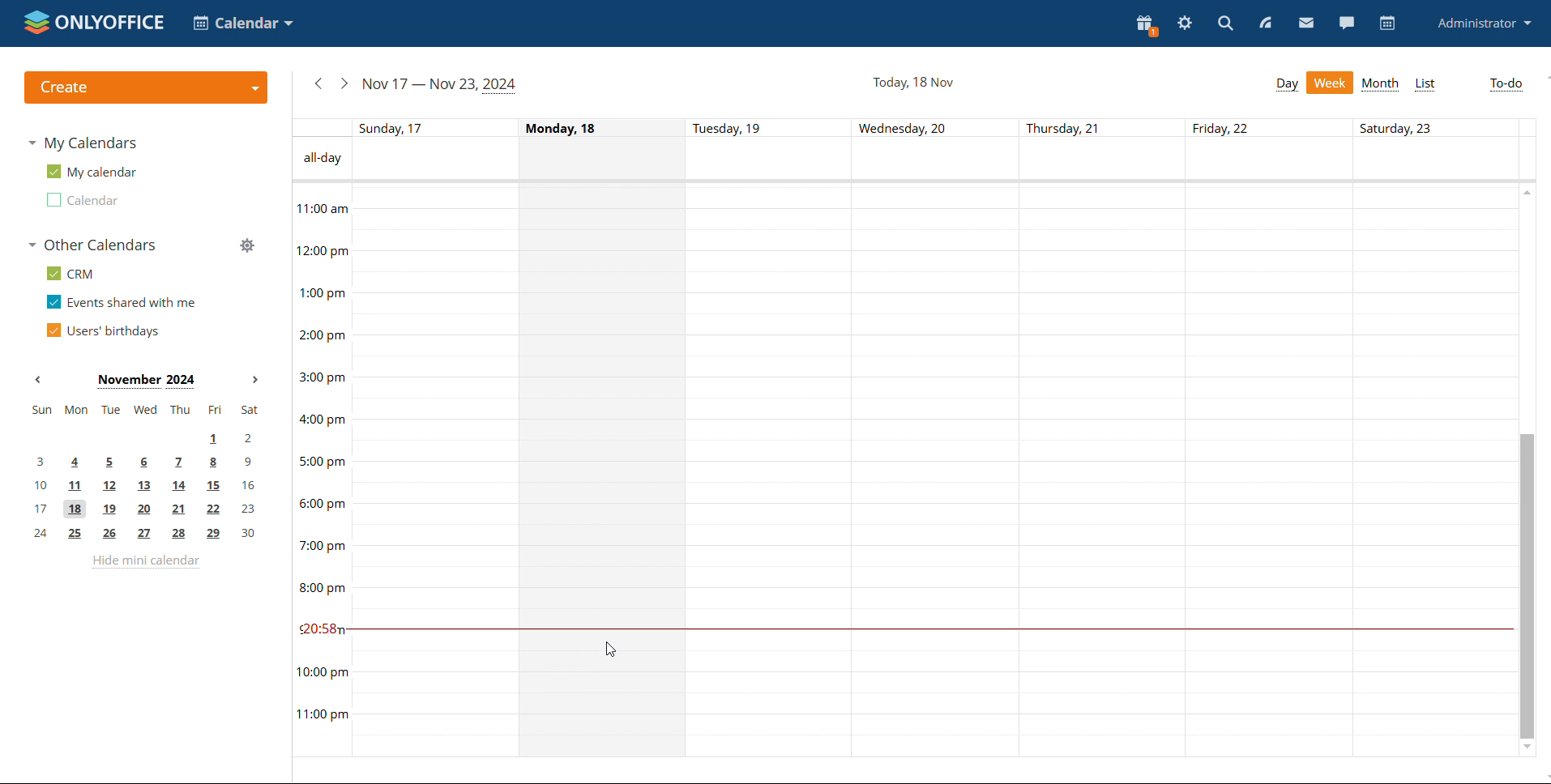 The width and height of the screenshot is (1551, 784). I want to click on crm, so click(72, 273).